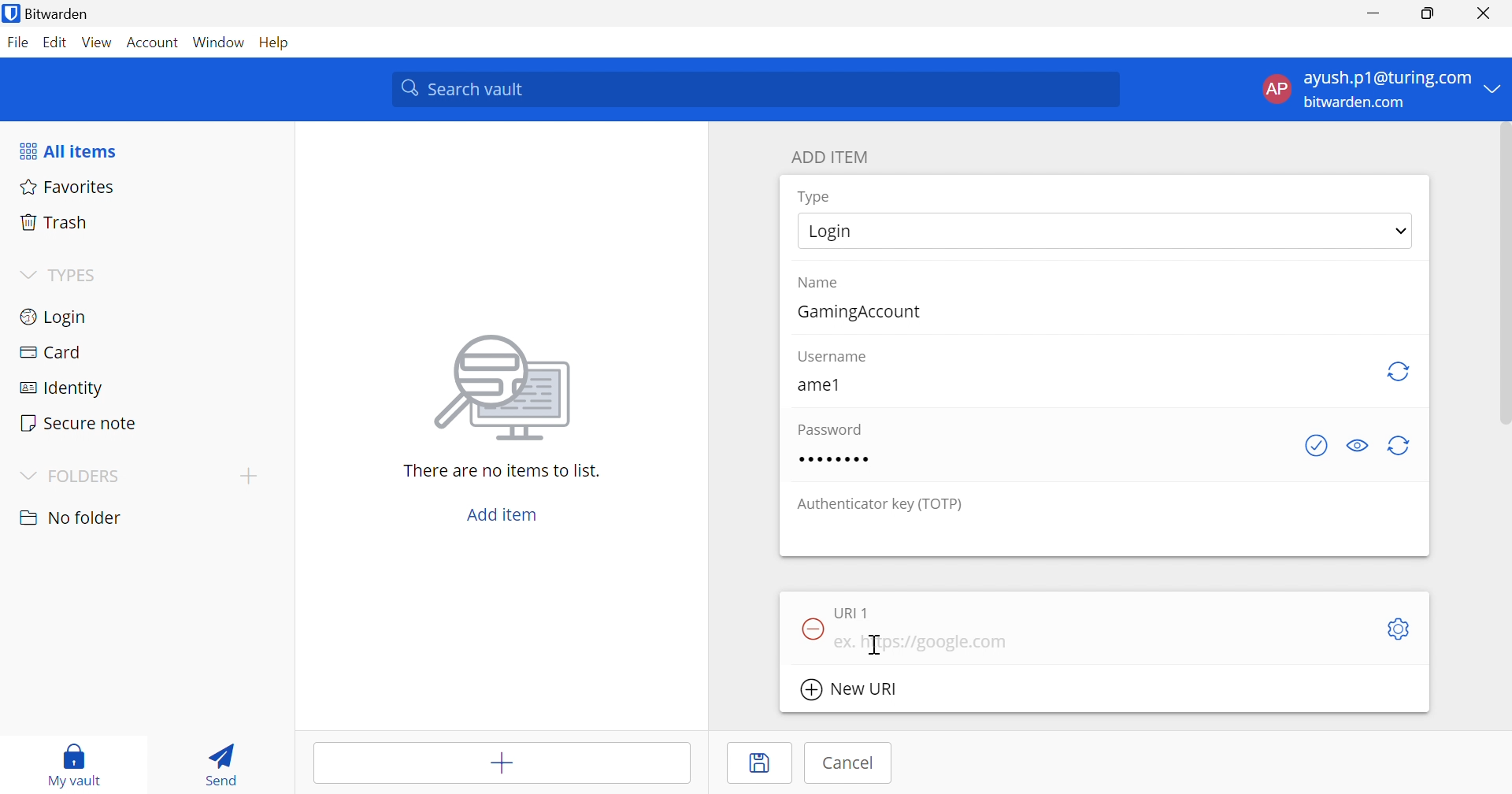 Image resolution: width=1512 pixels, height=794 pixels. I want to click on Authenticator key (TOTP), so click(884, 504).